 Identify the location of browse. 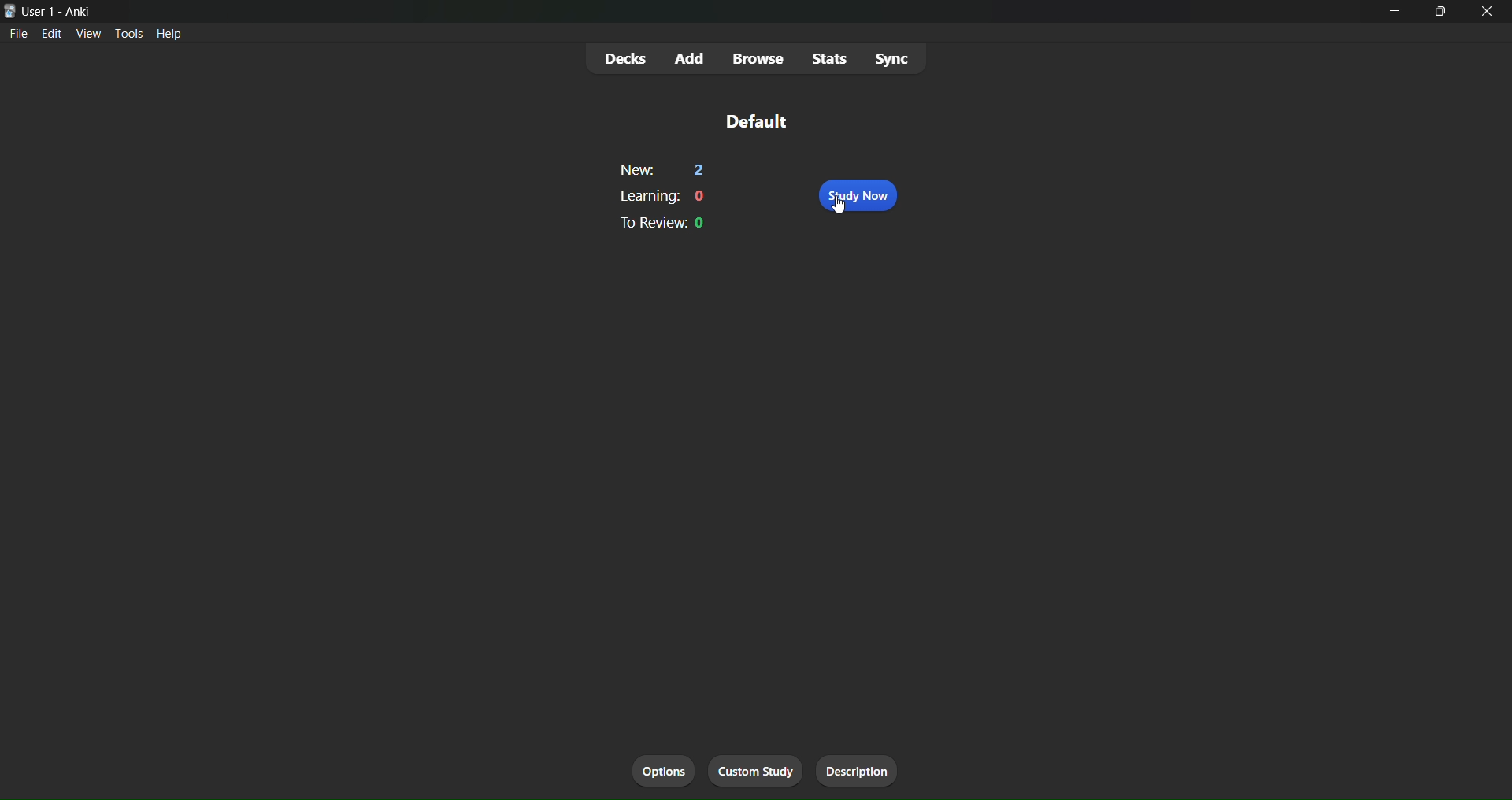
(759, 60).